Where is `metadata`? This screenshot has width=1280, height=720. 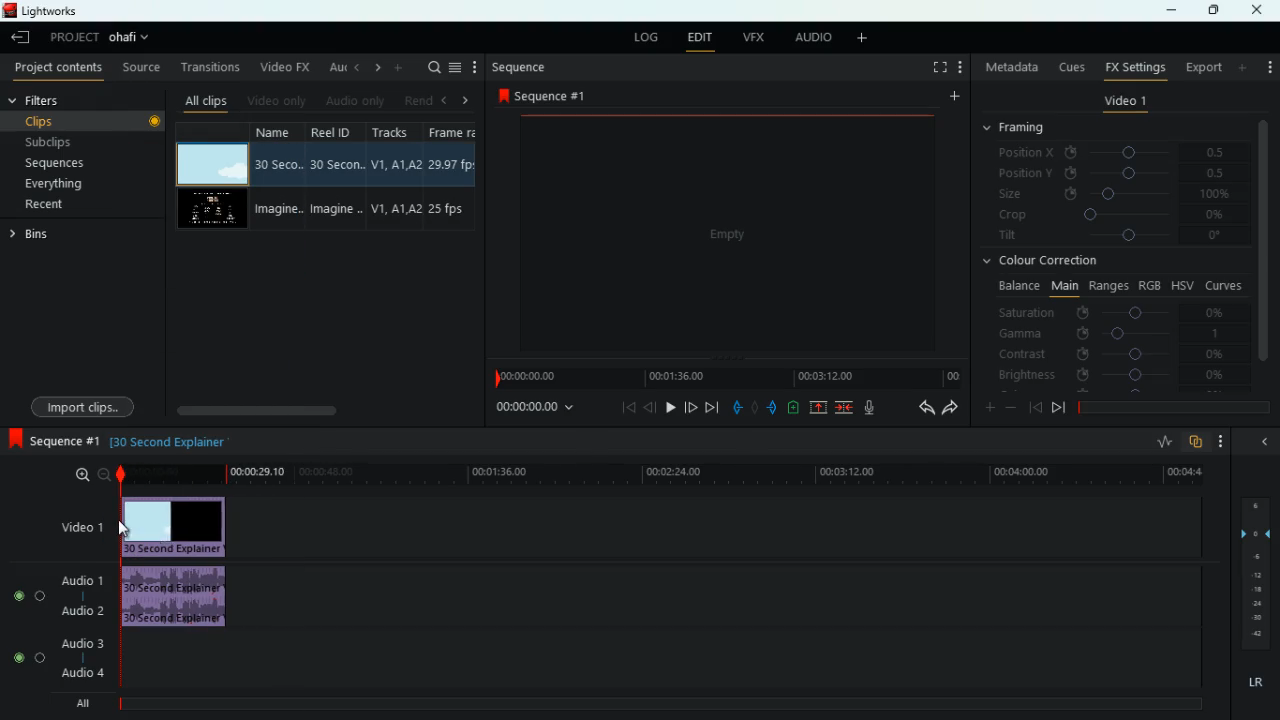 metadata is located at coordinates (1009, 69).